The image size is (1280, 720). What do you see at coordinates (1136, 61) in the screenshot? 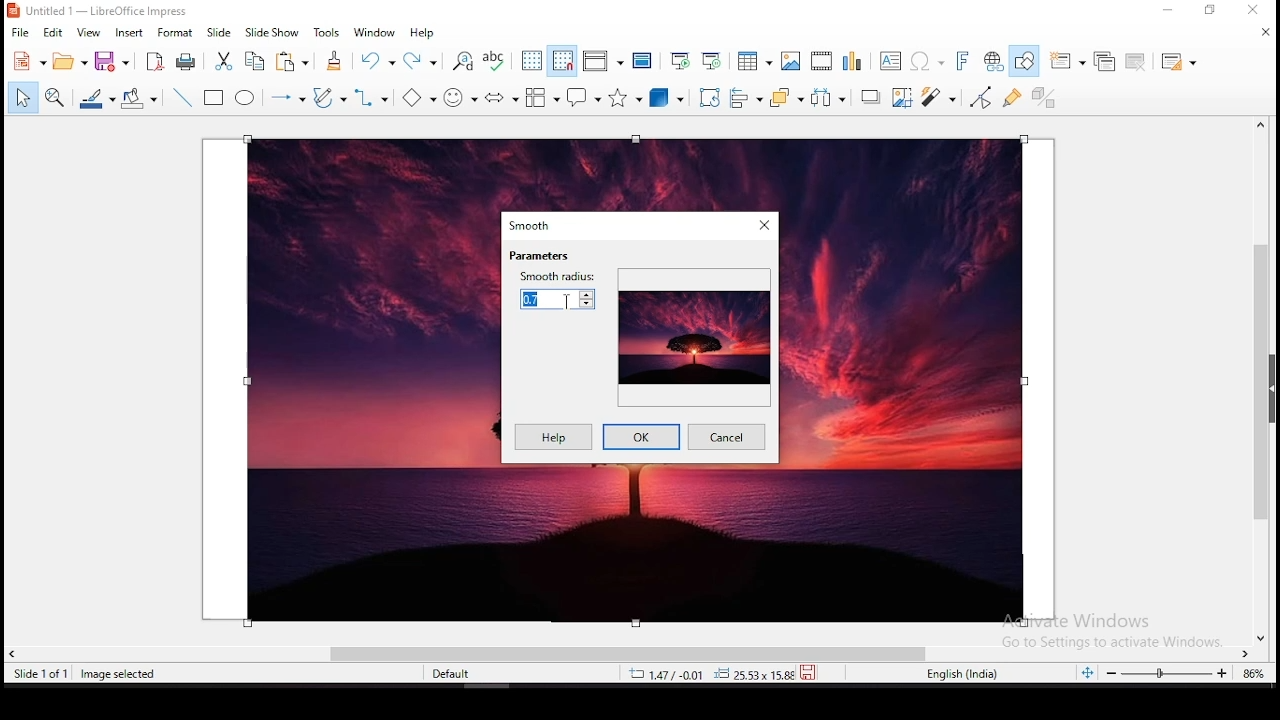
I see `delete slide` at bounding box center [1136, 61].